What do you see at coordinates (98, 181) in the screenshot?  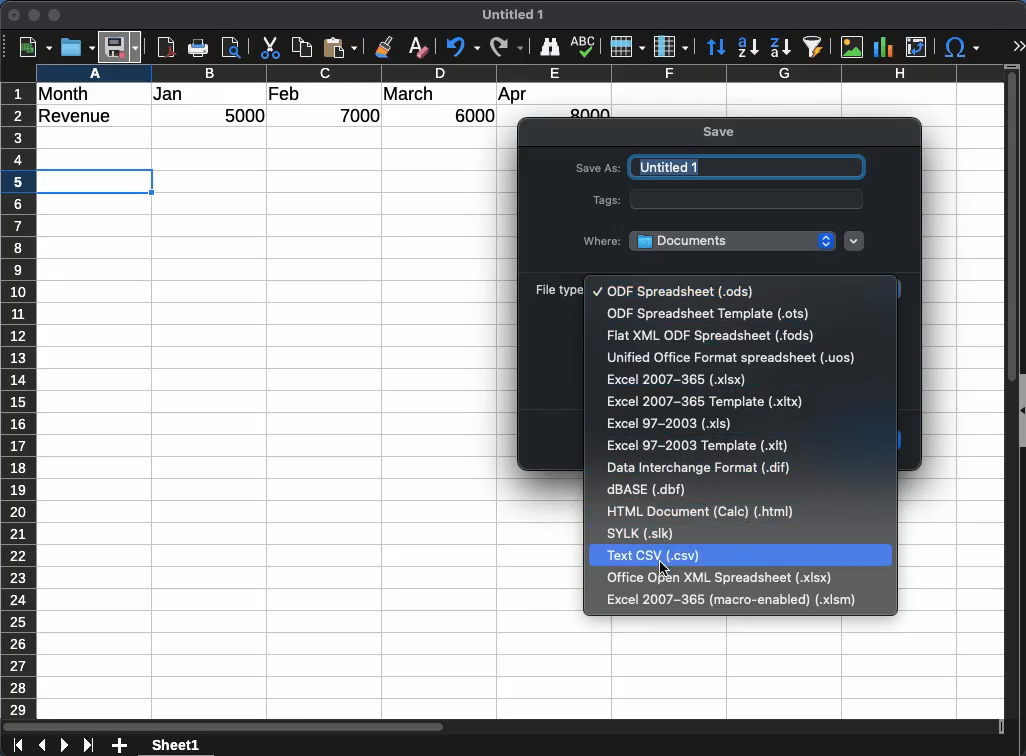 I see `selection` at bounding box center [98, 181].